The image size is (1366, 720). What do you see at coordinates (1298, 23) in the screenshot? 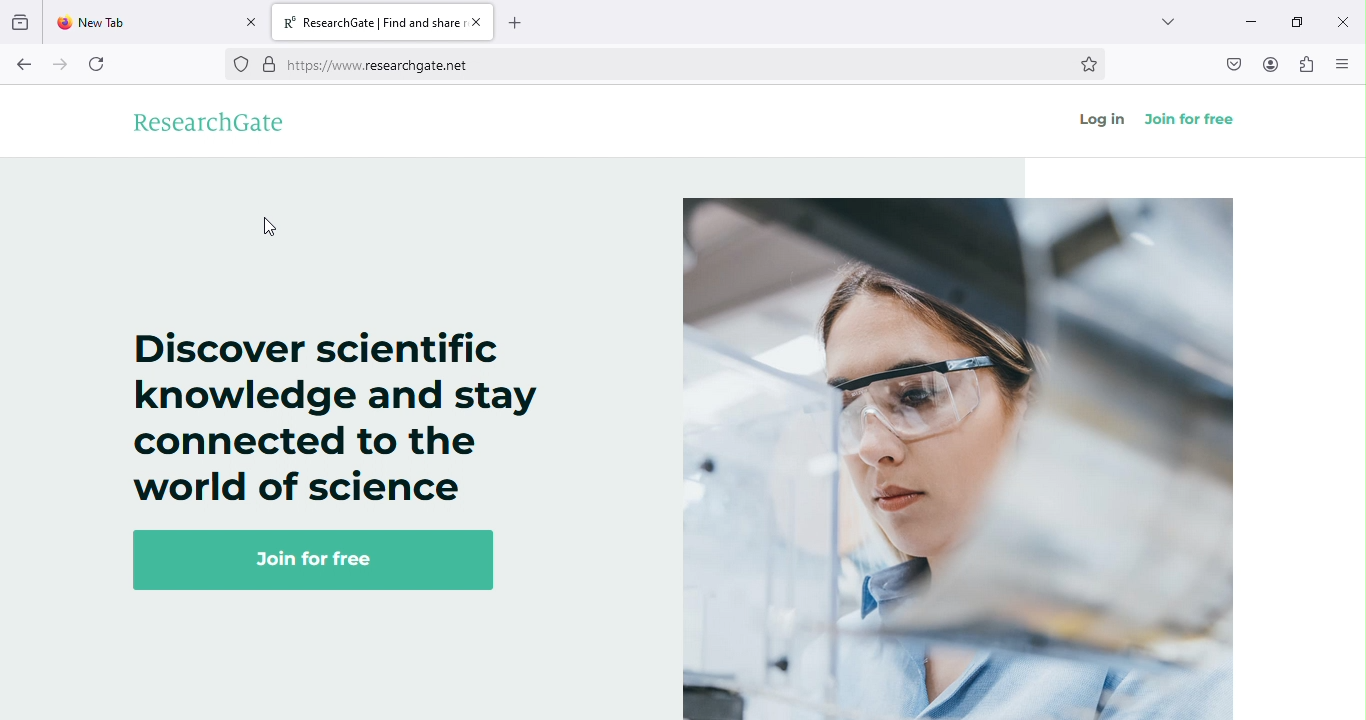
I see `maximize` at bounding box center [1298, 23].